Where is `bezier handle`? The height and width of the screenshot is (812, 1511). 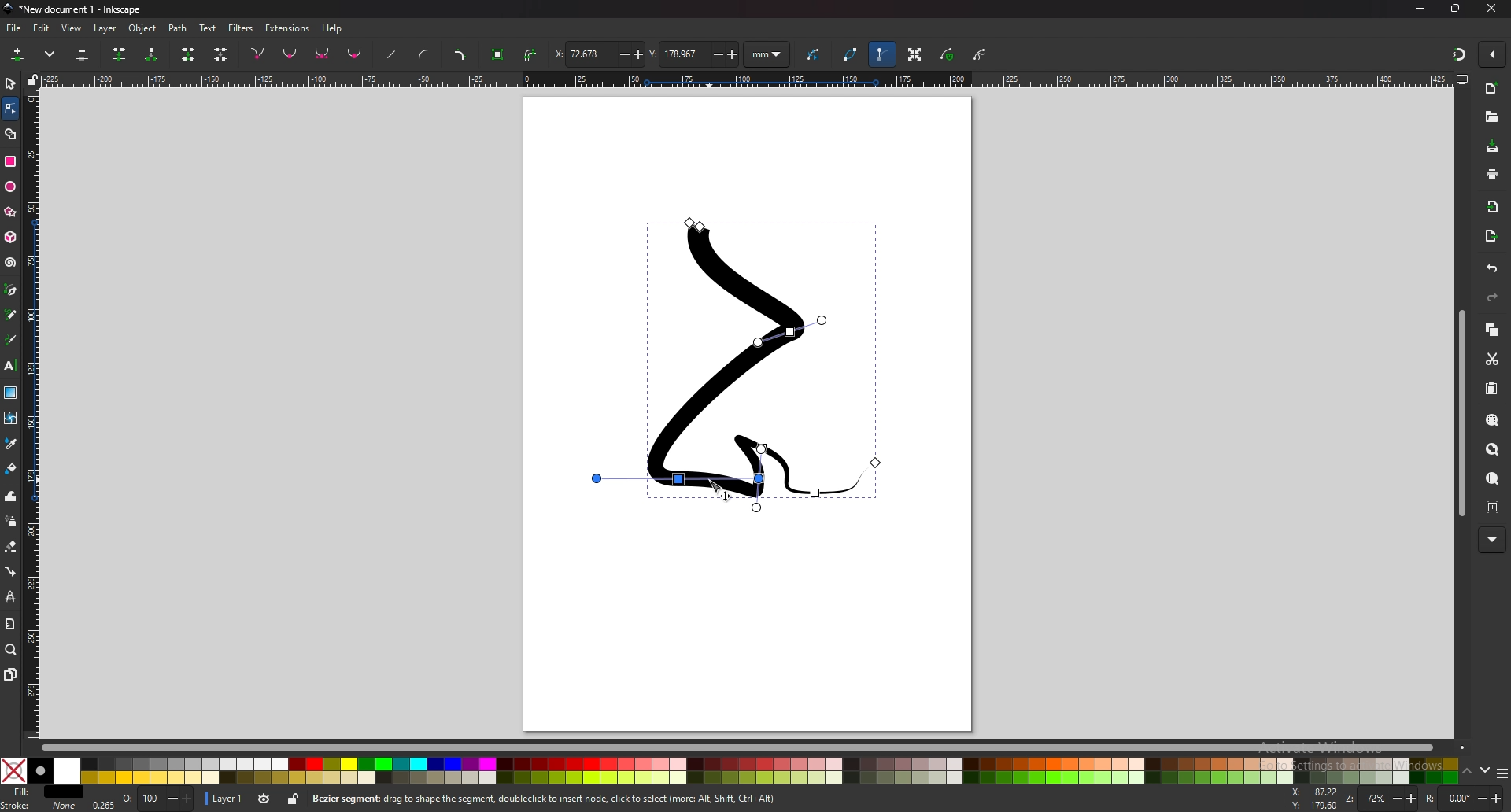 bezier handle is located at coordinates (882, 55).